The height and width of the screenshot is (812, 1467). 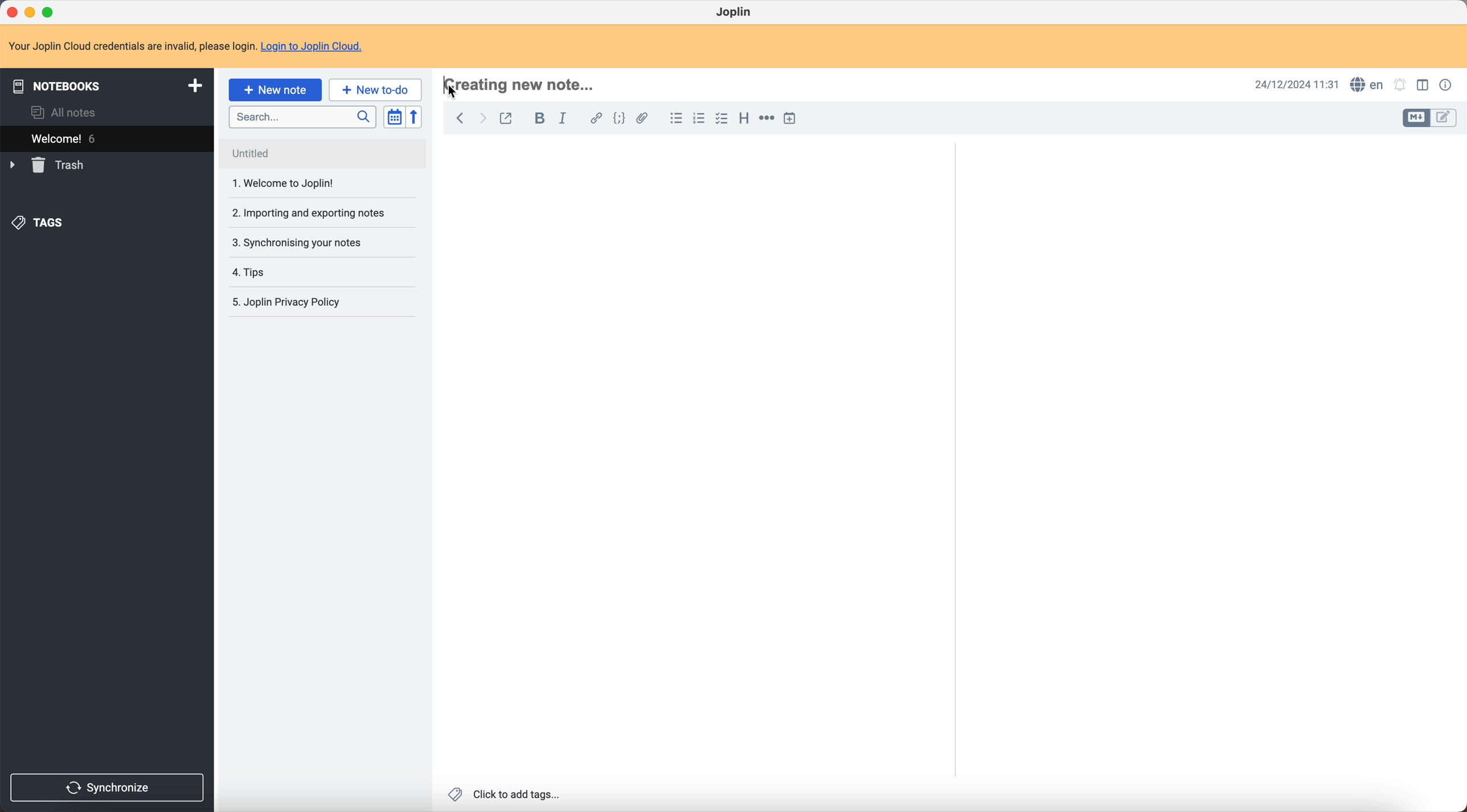 I want to click on trash, so click(x=48, y=165).